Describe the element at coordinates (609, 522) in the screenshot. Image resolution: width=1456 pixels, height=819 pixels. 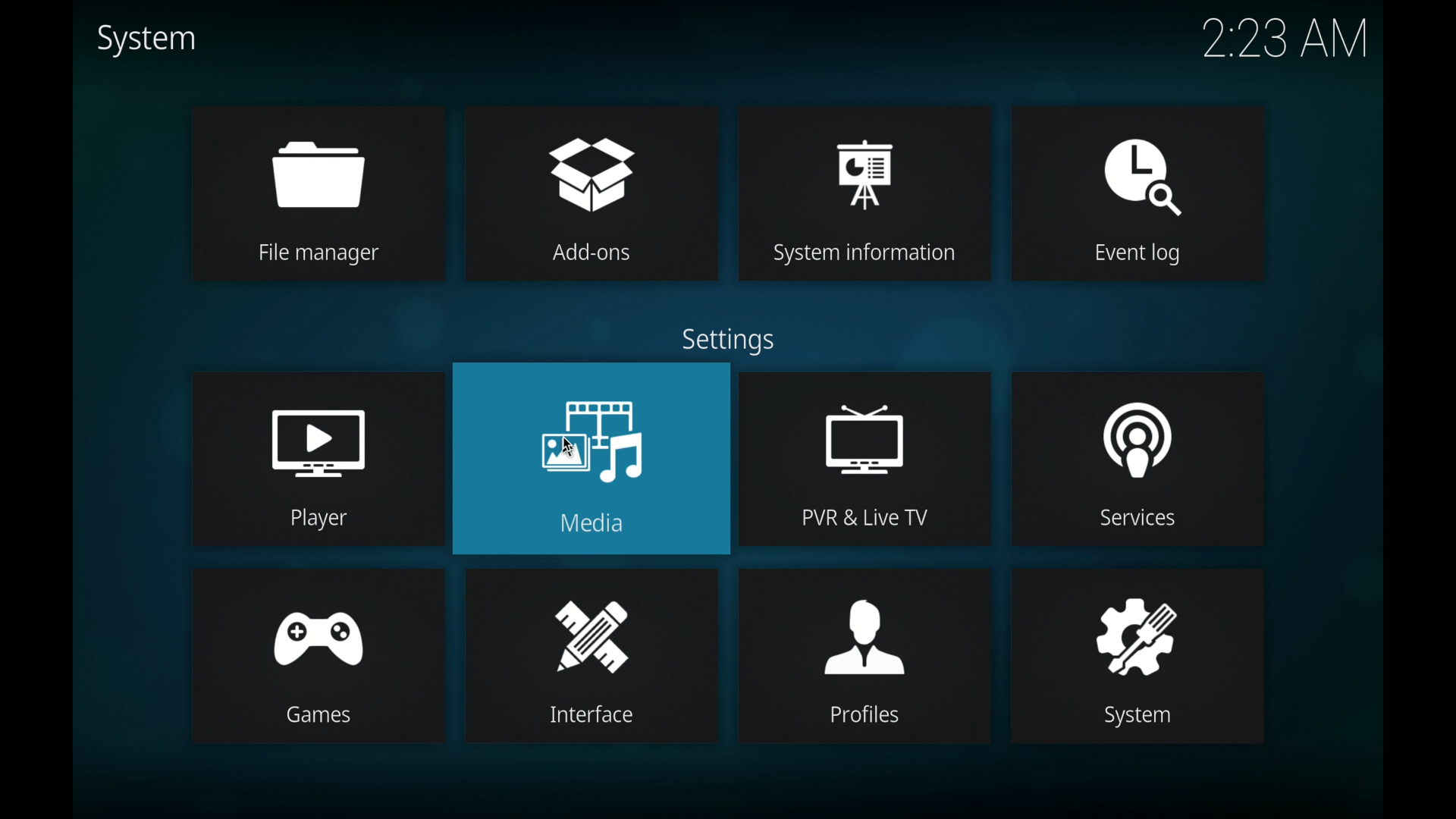
I see `Media` at that location.